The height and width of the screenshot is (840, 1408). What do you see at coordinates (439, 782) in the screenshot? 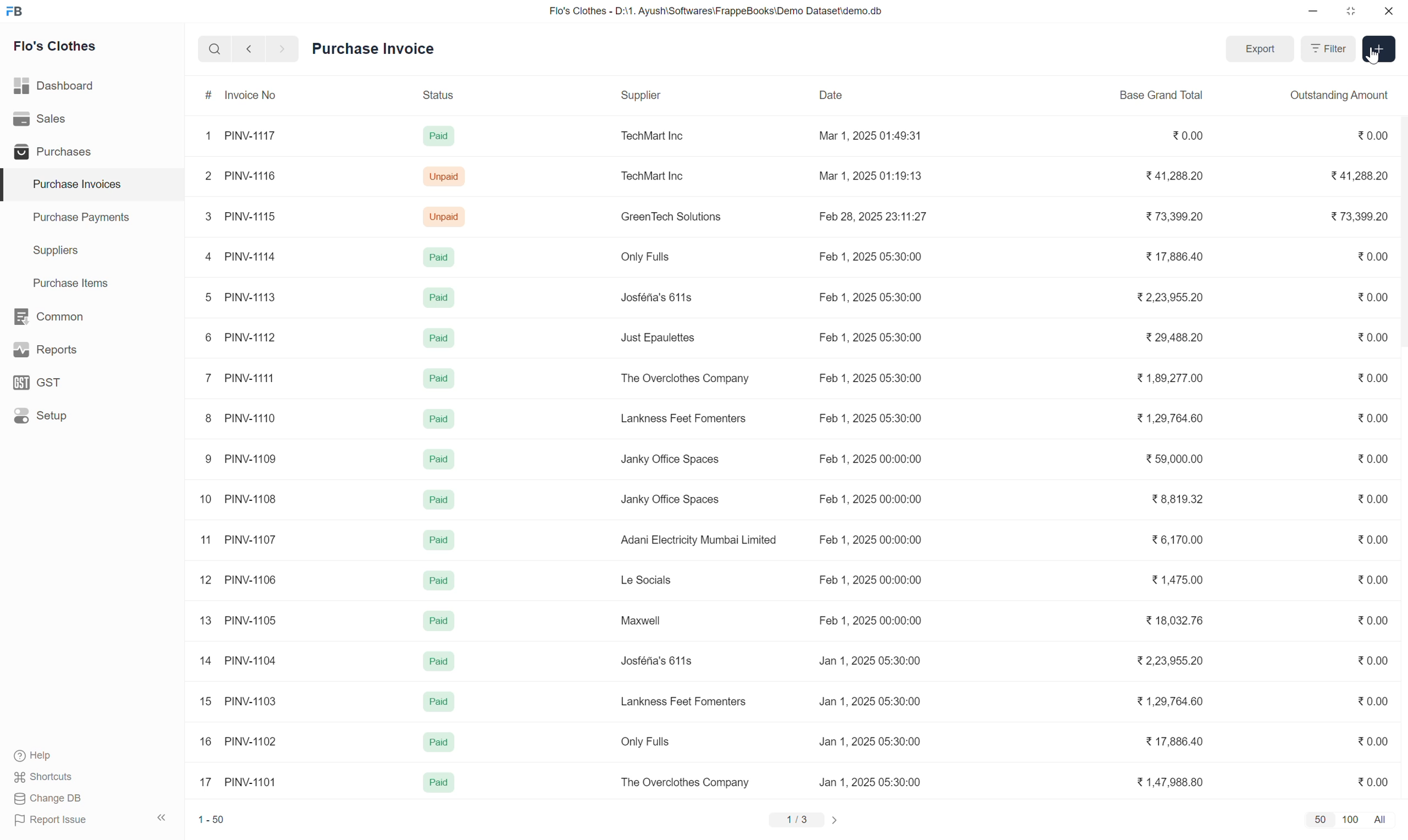
I see `Paid` at bounding box center [439, 782].